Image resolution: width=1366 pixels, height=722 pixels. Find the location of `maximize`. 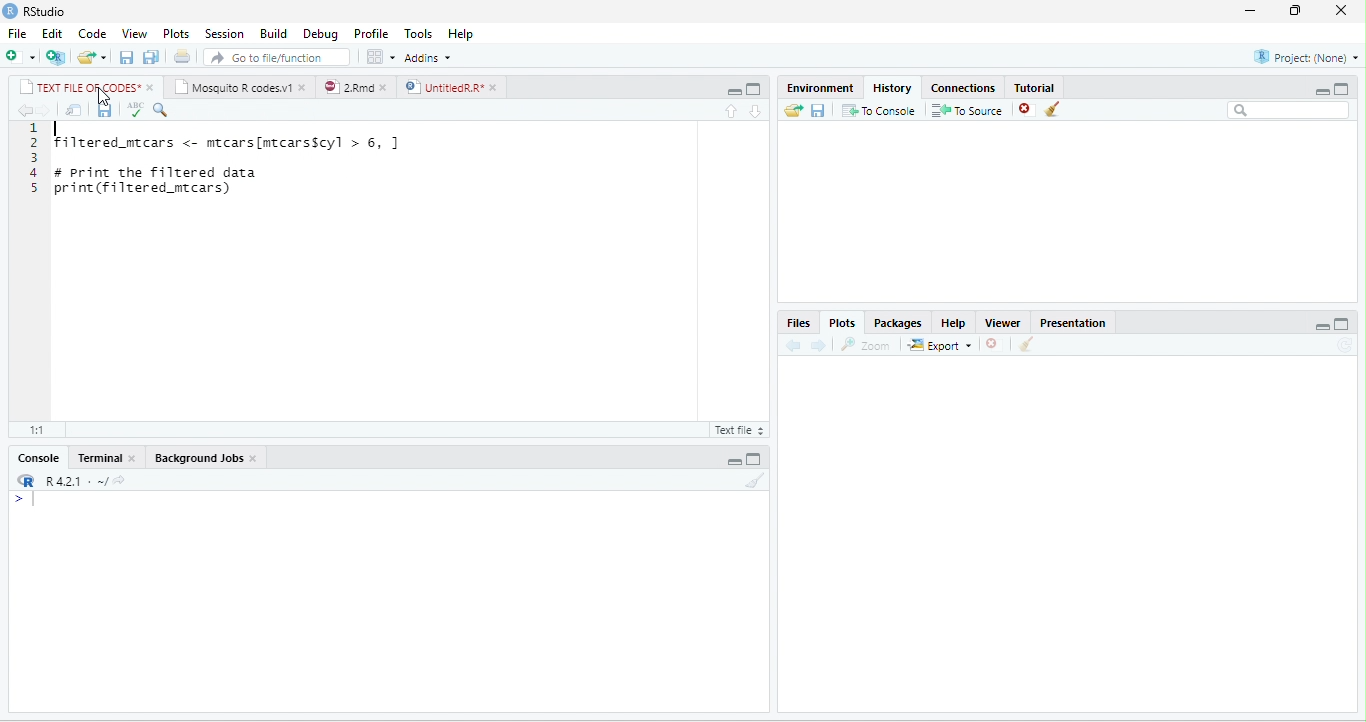

maximize is located at coordinates (1342, 324).